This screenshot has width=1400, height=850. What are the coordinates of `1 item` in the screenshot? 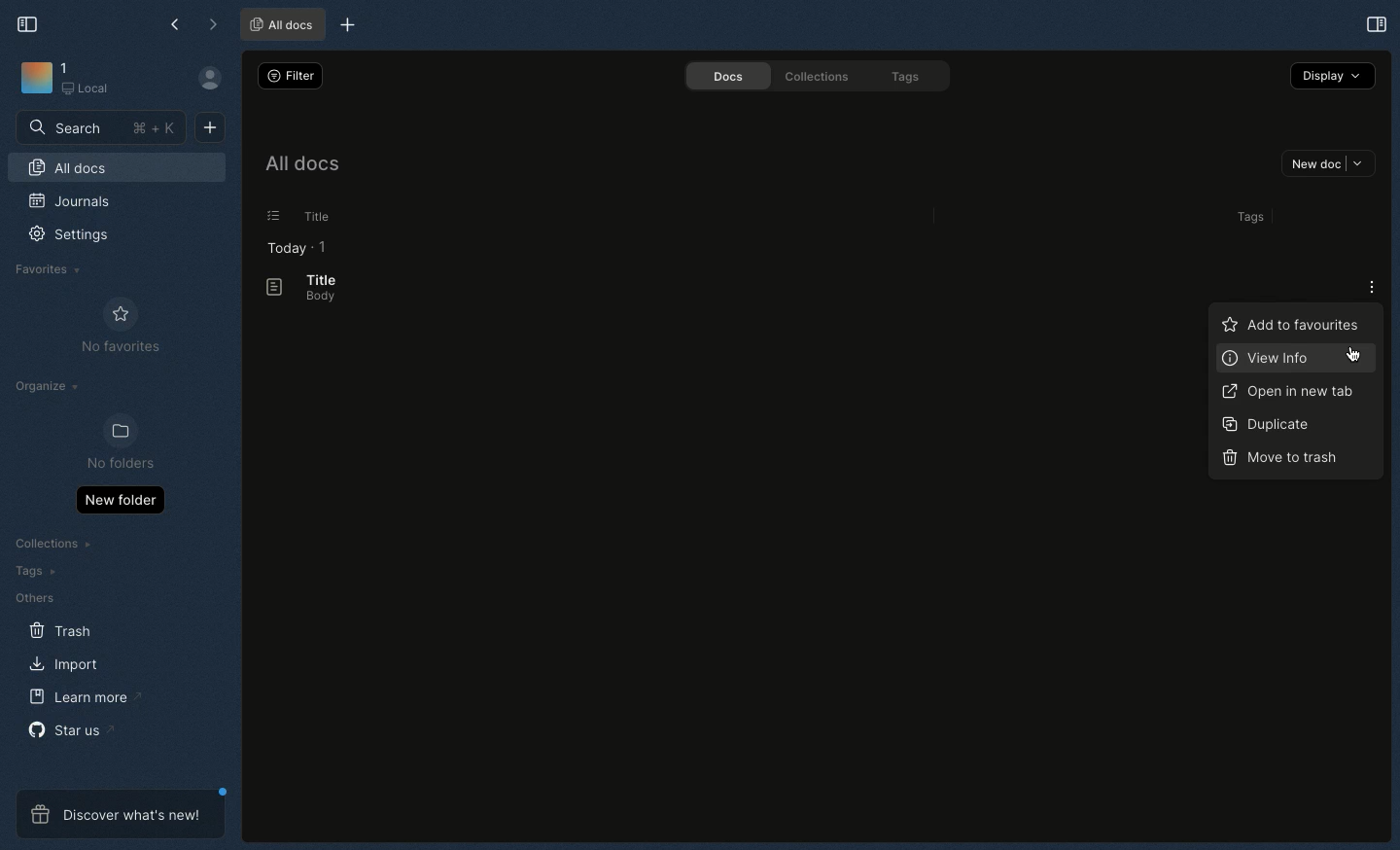 It's located at (323, 246).